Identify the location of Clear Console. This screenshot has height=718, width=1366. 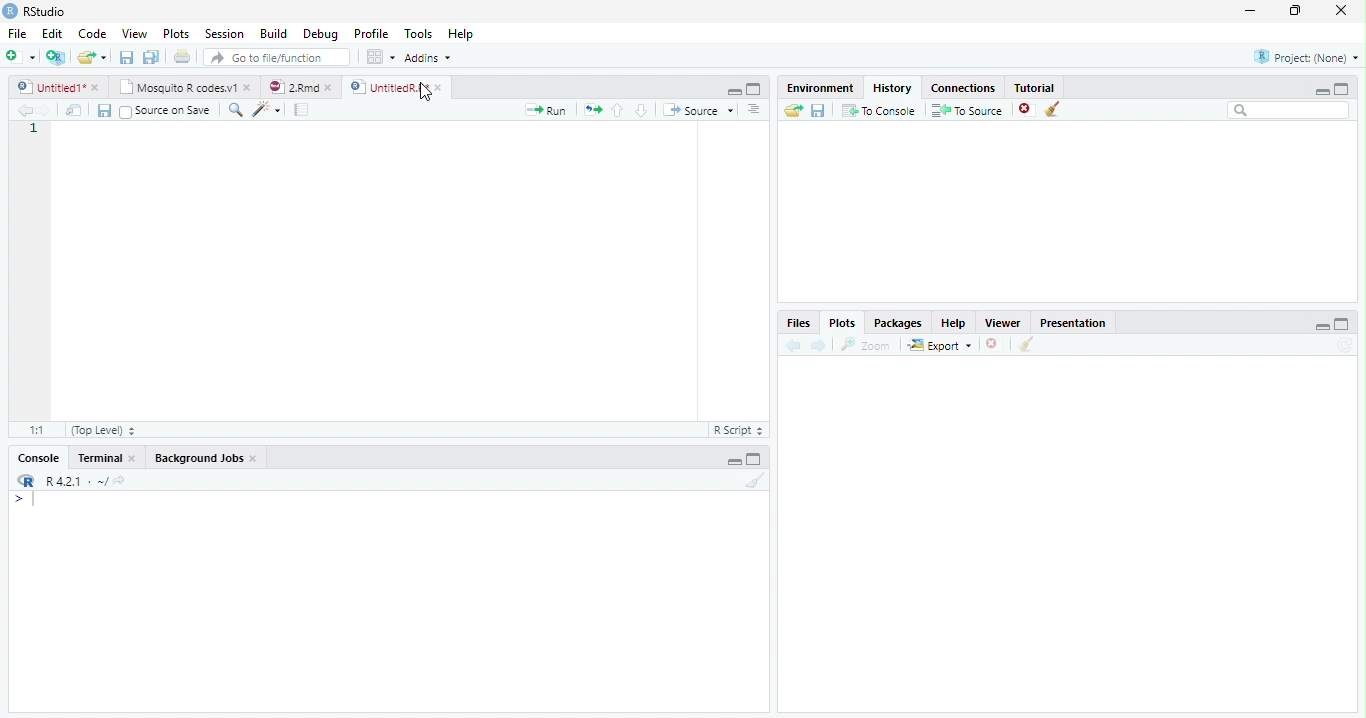
(1024, 345).